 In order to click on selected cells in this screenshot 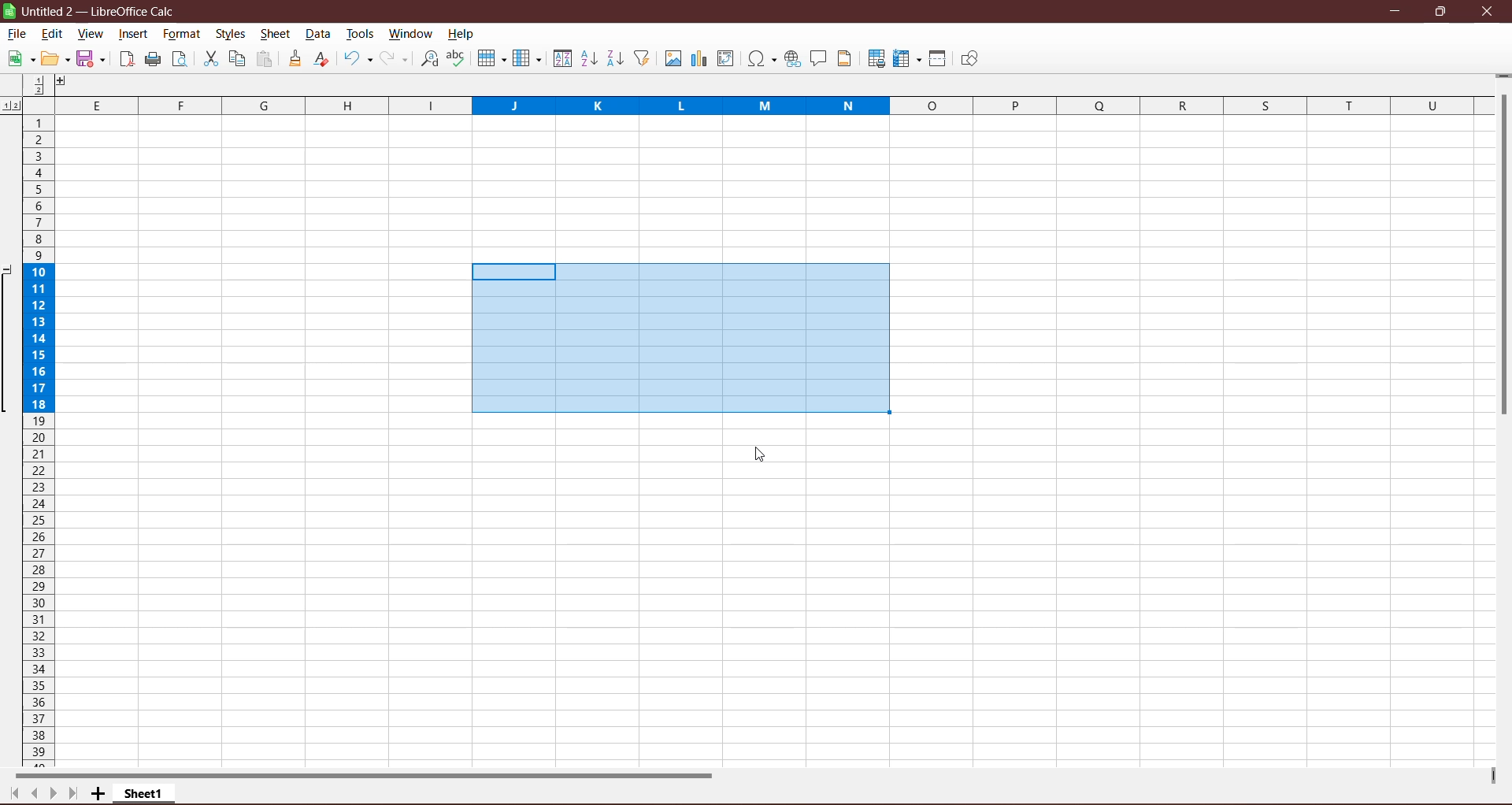, I will do `click(679, 338)`.